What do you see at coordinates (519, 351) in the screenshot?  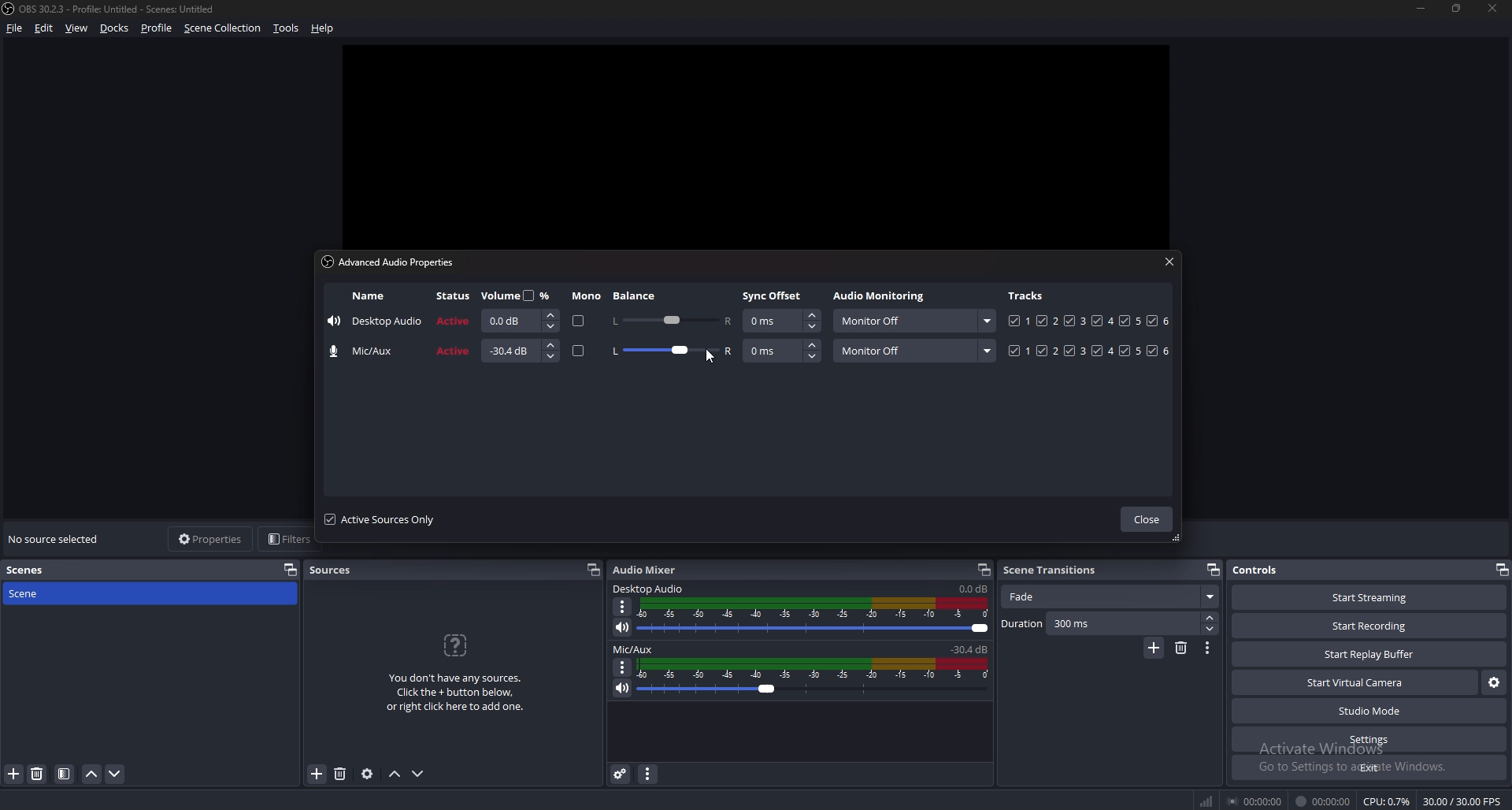 I see `volume adjust` at bounding box center [519, 351].